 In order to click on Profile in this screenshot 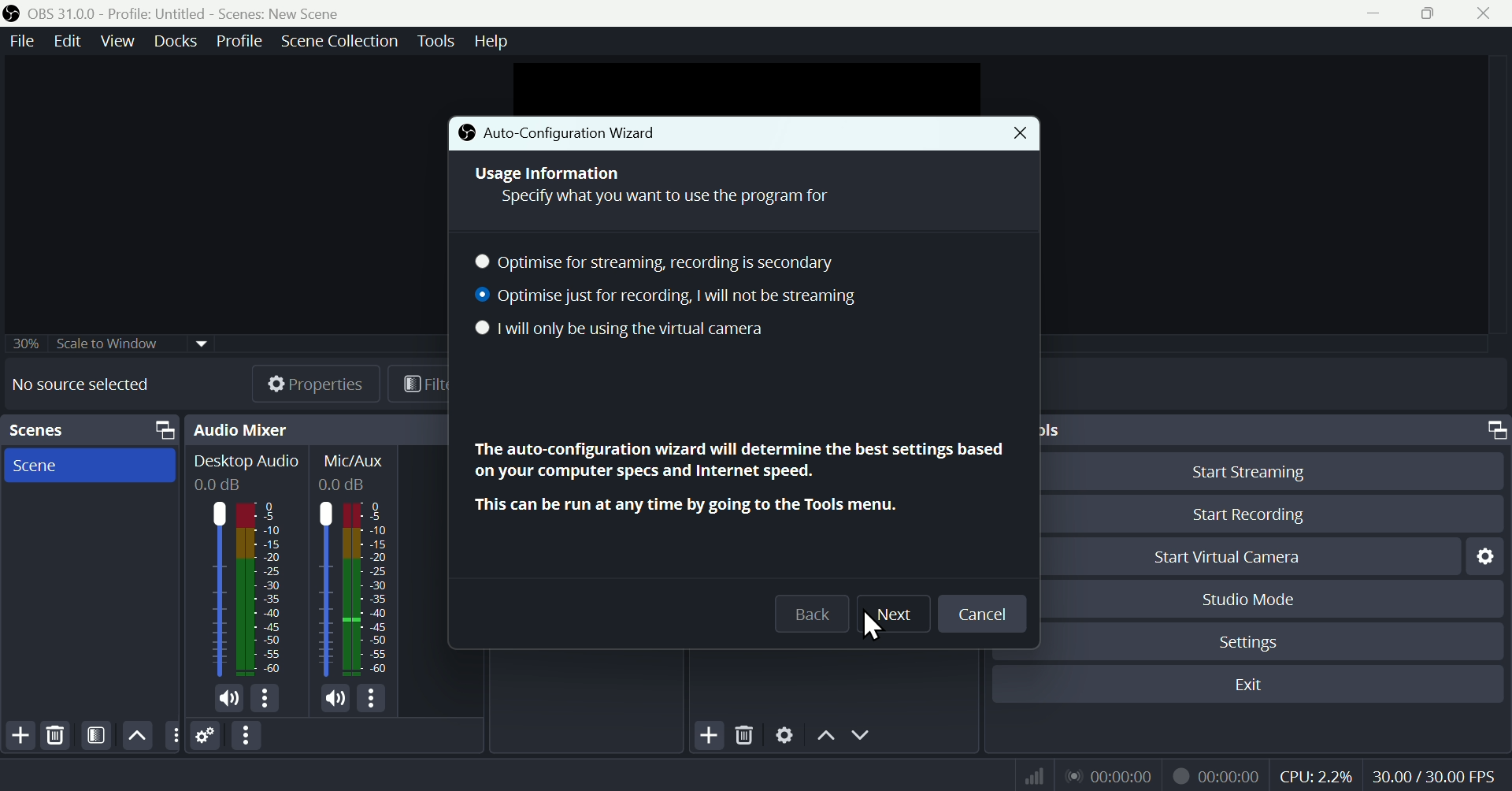, I will do `click(235, 41)`.